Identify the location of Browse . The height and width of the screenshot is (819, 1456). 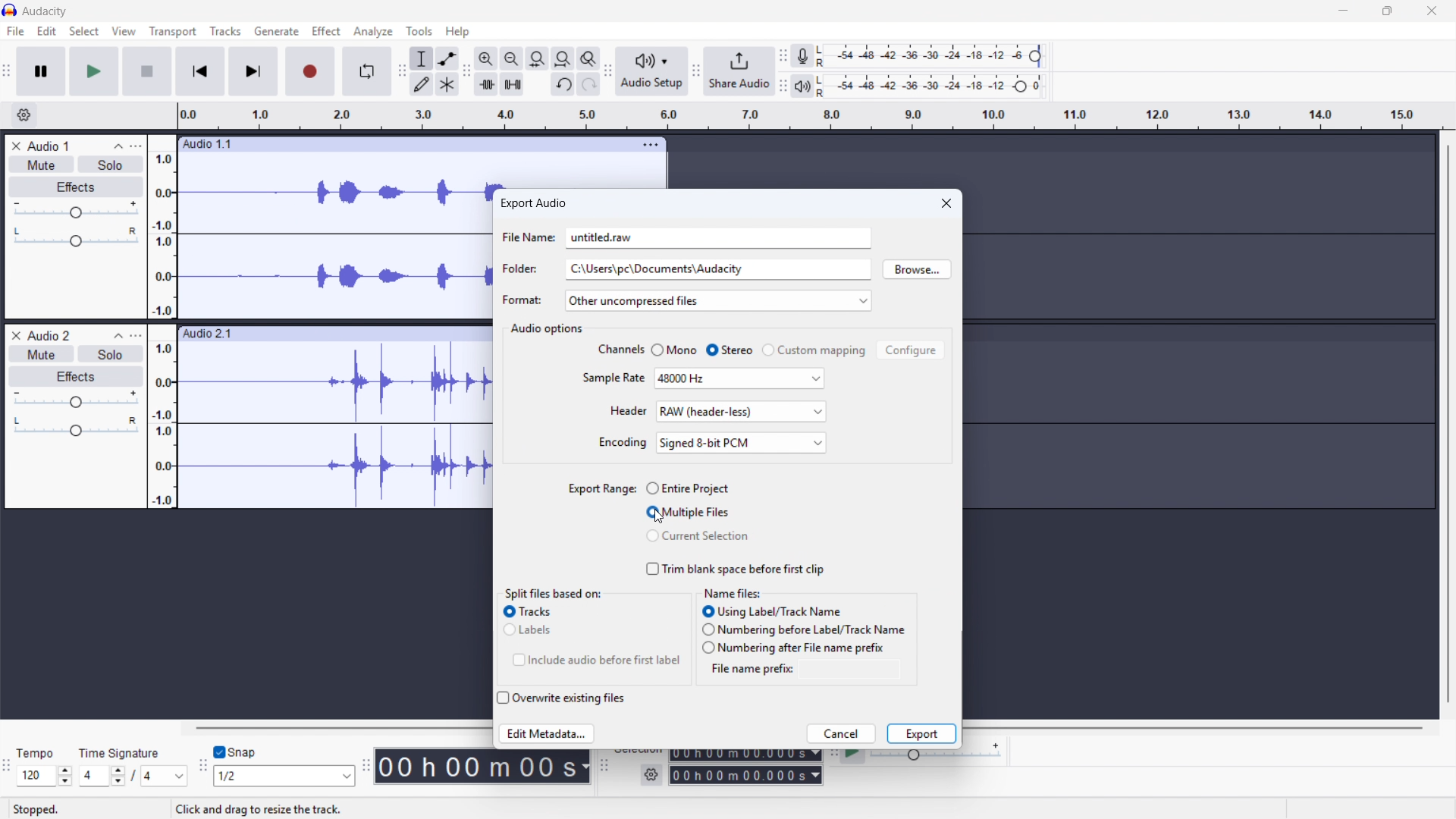
(917, 269).